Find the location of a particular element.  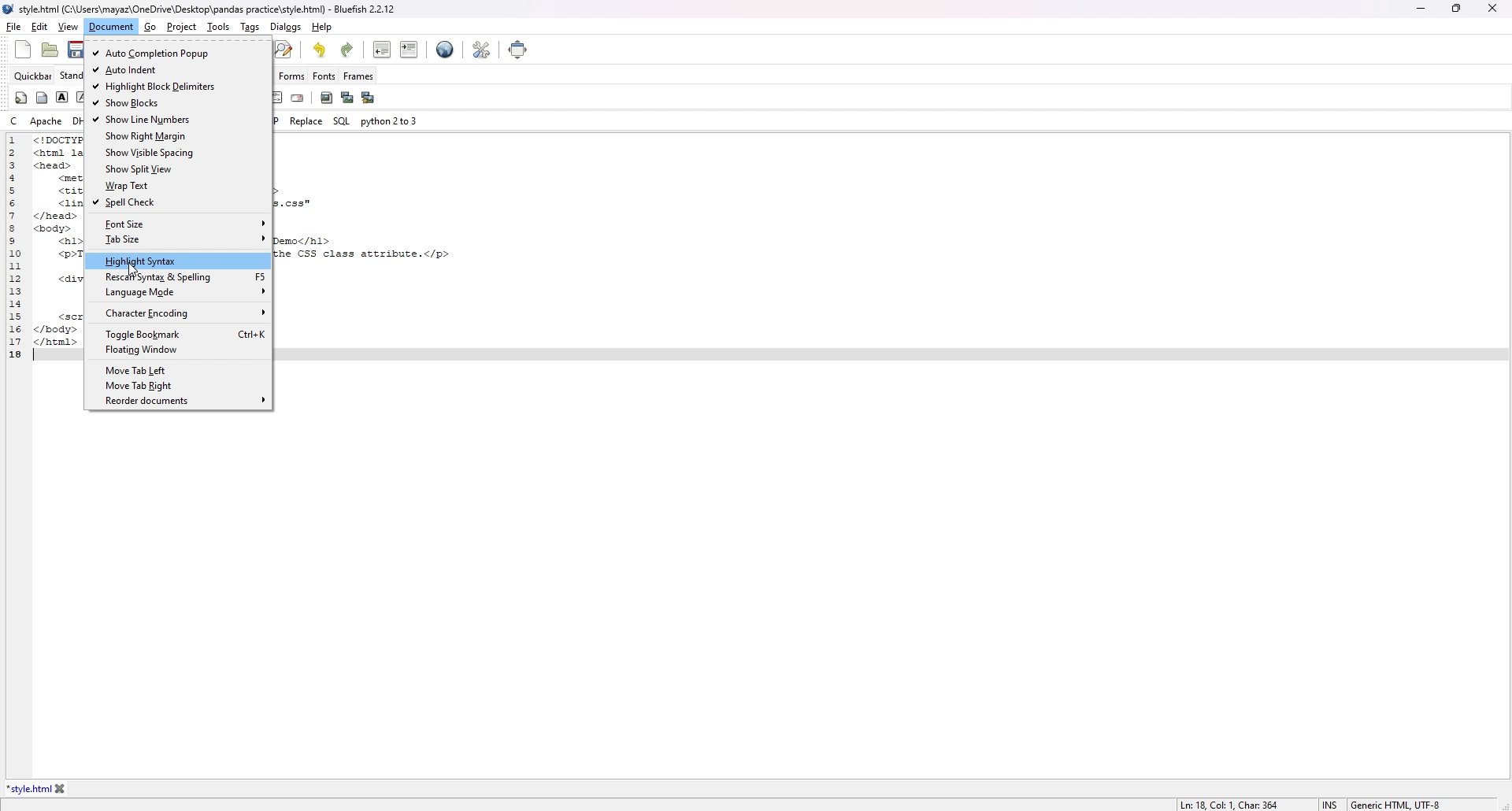

line info is located at coordinates (1235, 802).